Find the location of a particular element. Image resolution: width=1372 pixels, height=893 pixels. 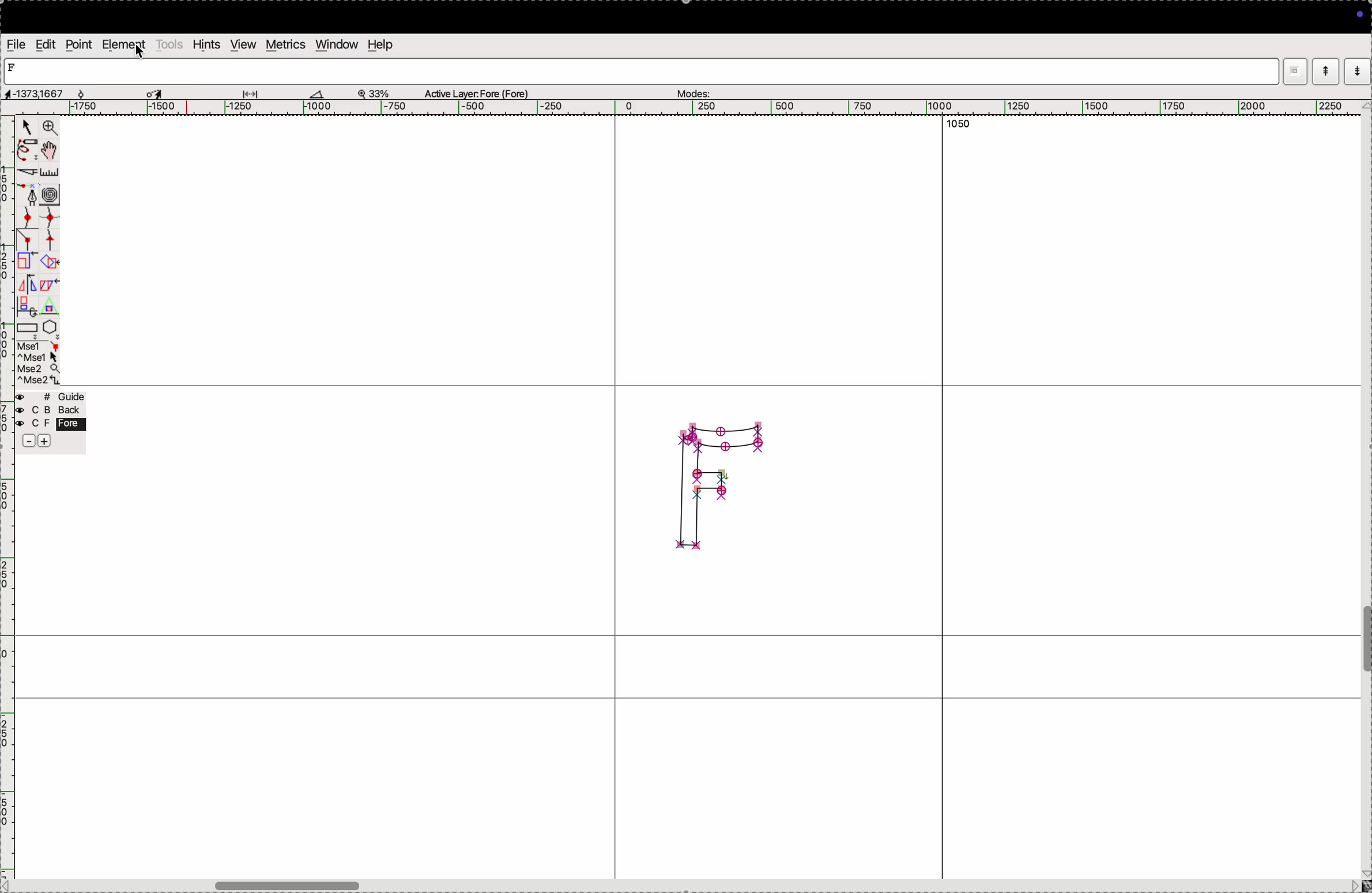

element is located at coordinates (123, 44).